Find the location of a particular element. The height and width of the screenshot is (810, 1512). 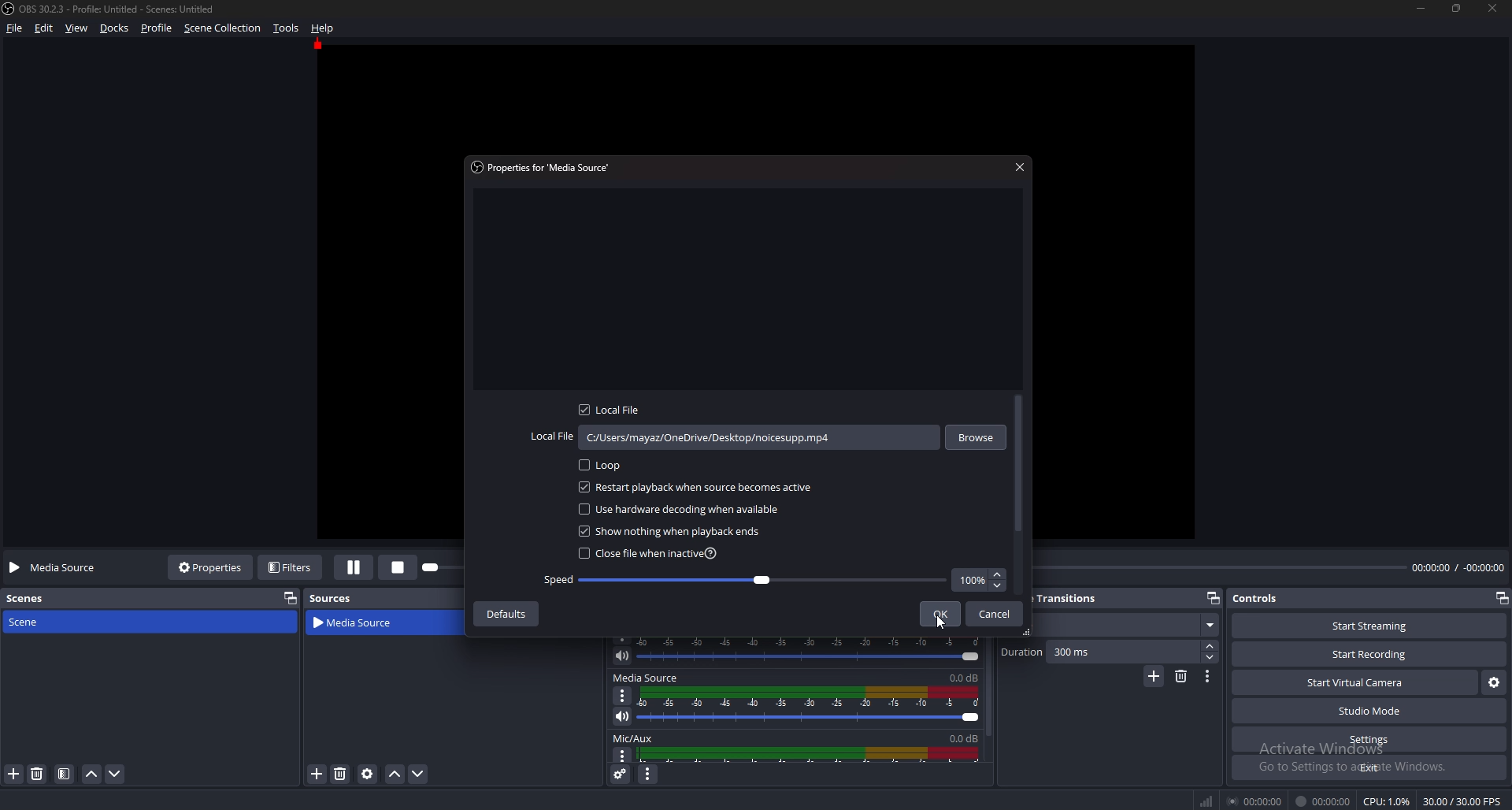

30.00 / 30.00 FPS is located at coordinates (1462, 801).